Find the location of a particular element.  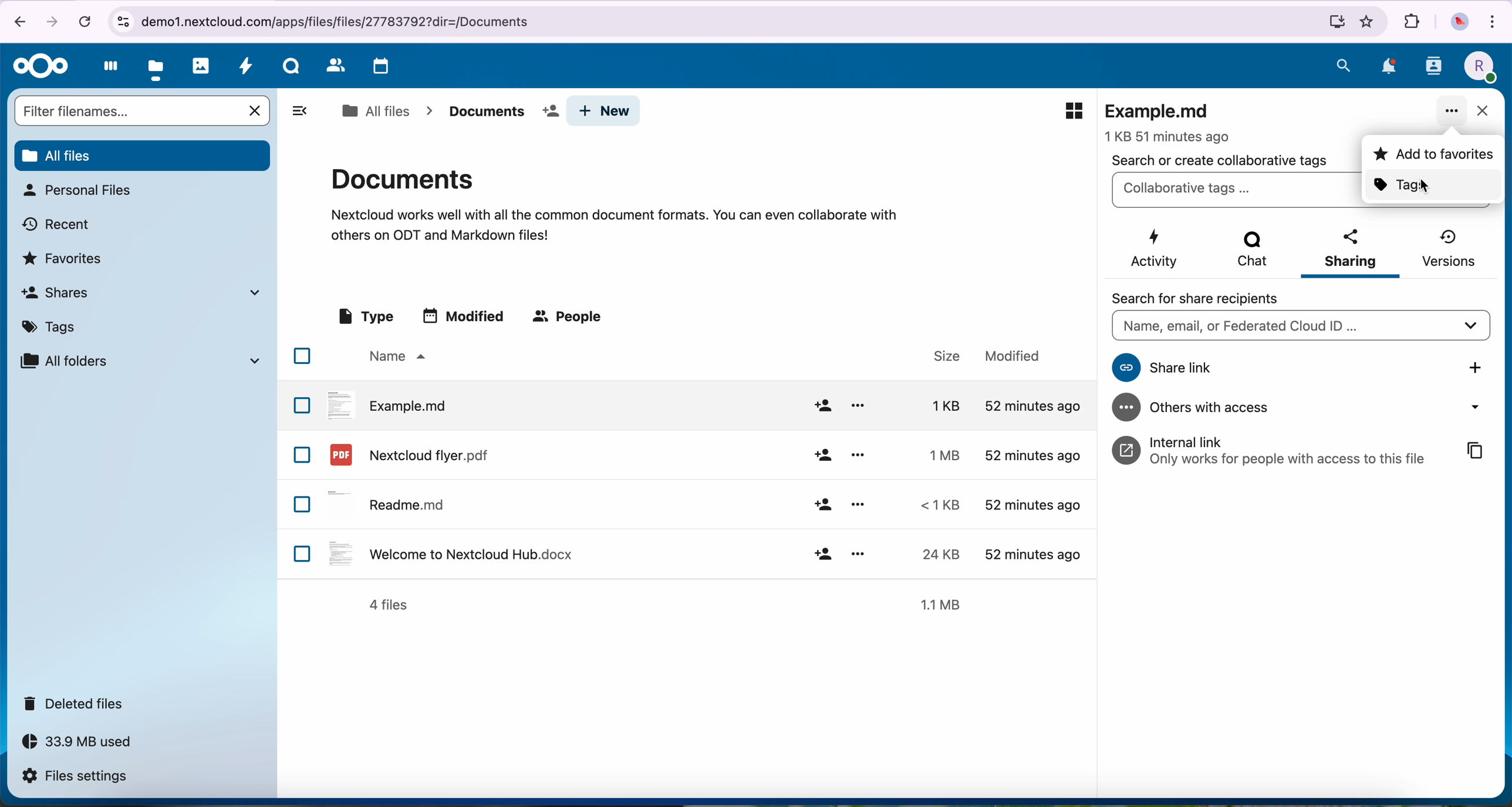

profile picture is located at coordinates (1458, 22).